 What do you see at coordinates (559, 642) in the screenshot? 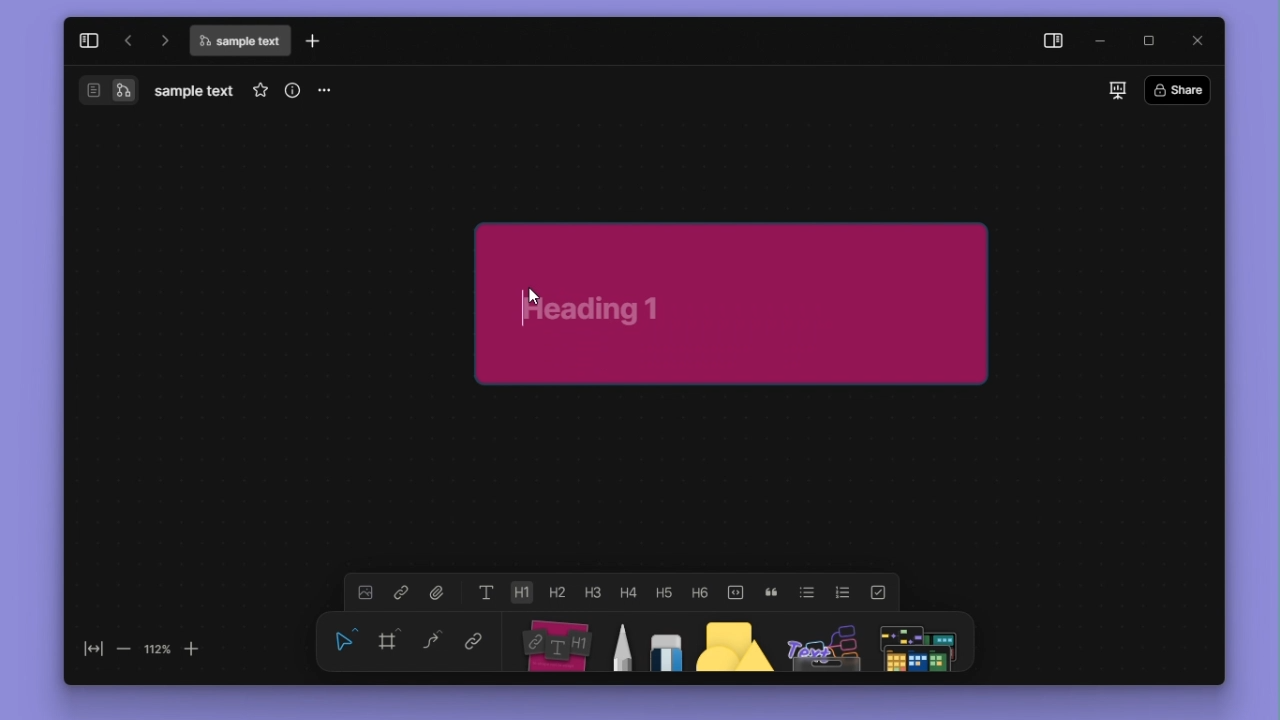
I see `note` at bounding box center [559, 642].